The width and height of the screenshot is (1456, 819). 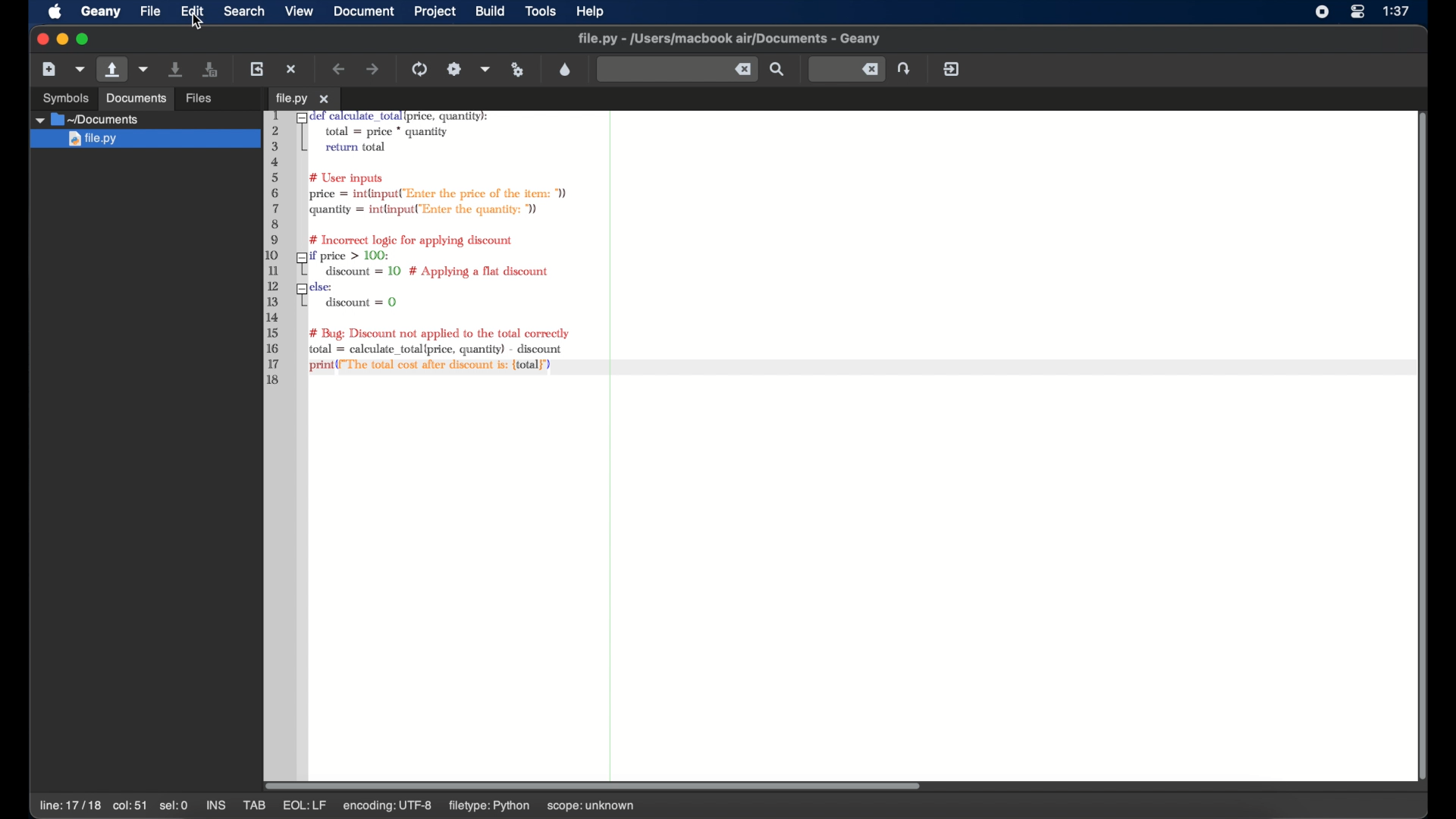 What do you see at coordinates (365, 11) in the screenshot?
I see `document` at bounding box center [365, 11].